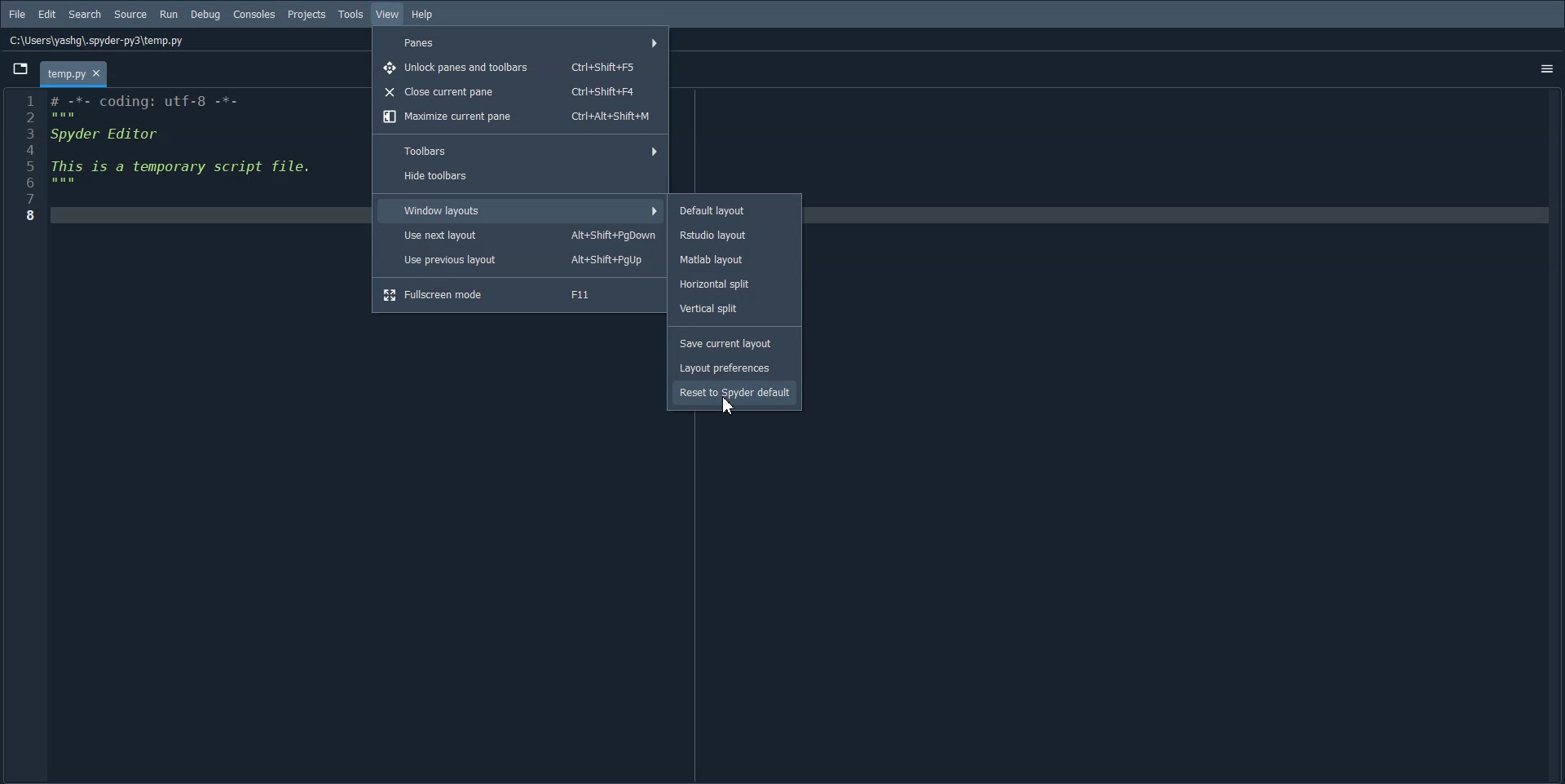 This screenshot has width=1565, height=784. I want to click on Options, so click(1546, 68).